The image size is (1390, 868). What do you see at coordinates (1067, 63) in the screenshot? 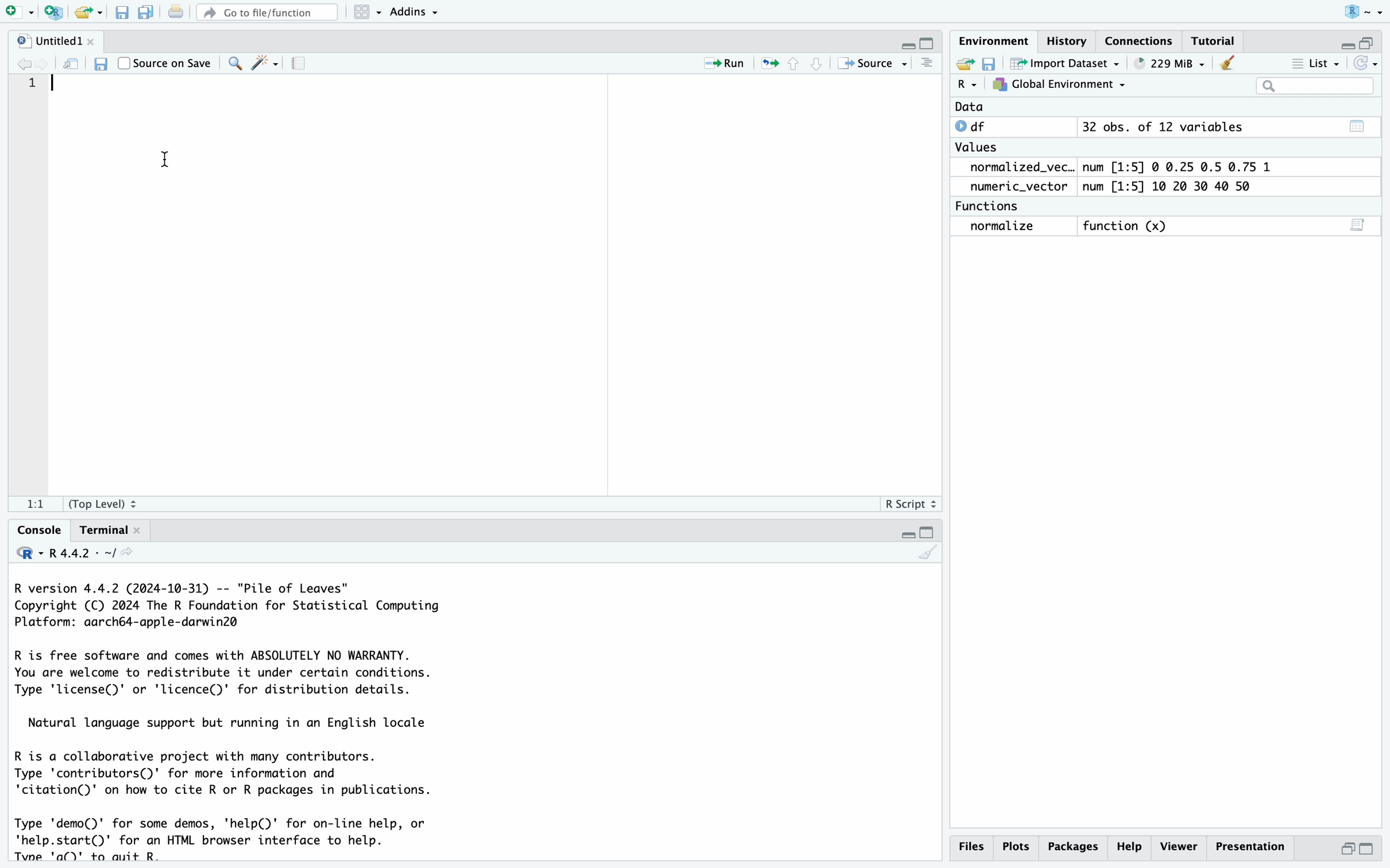
I see `Import Dataset` at bounding box center [1067, 63].